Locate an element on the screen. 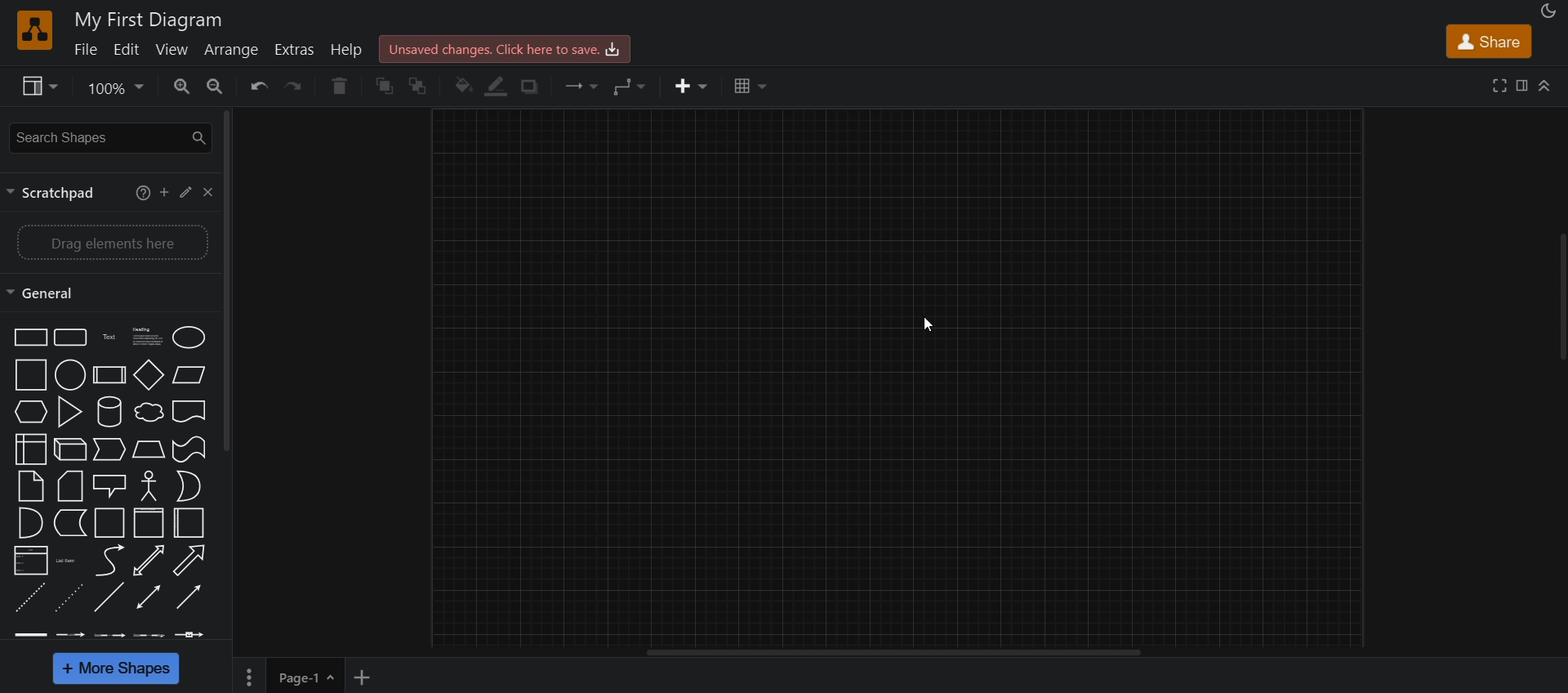 The height and width of the screenshot is (693, 1568). waypoints is located at coordinates (629, 87).